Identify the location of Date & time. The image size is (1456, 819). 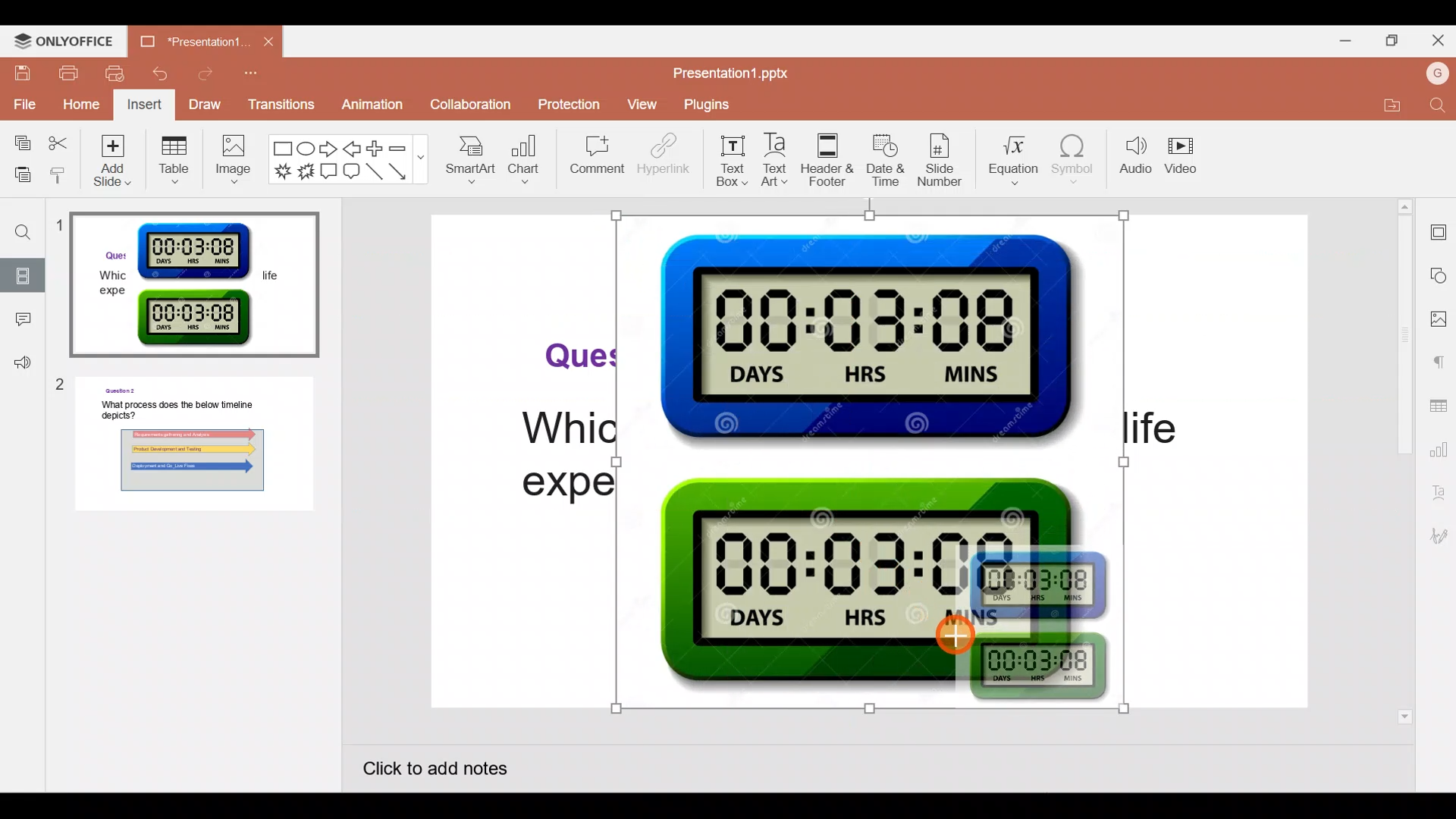
(887, 163).